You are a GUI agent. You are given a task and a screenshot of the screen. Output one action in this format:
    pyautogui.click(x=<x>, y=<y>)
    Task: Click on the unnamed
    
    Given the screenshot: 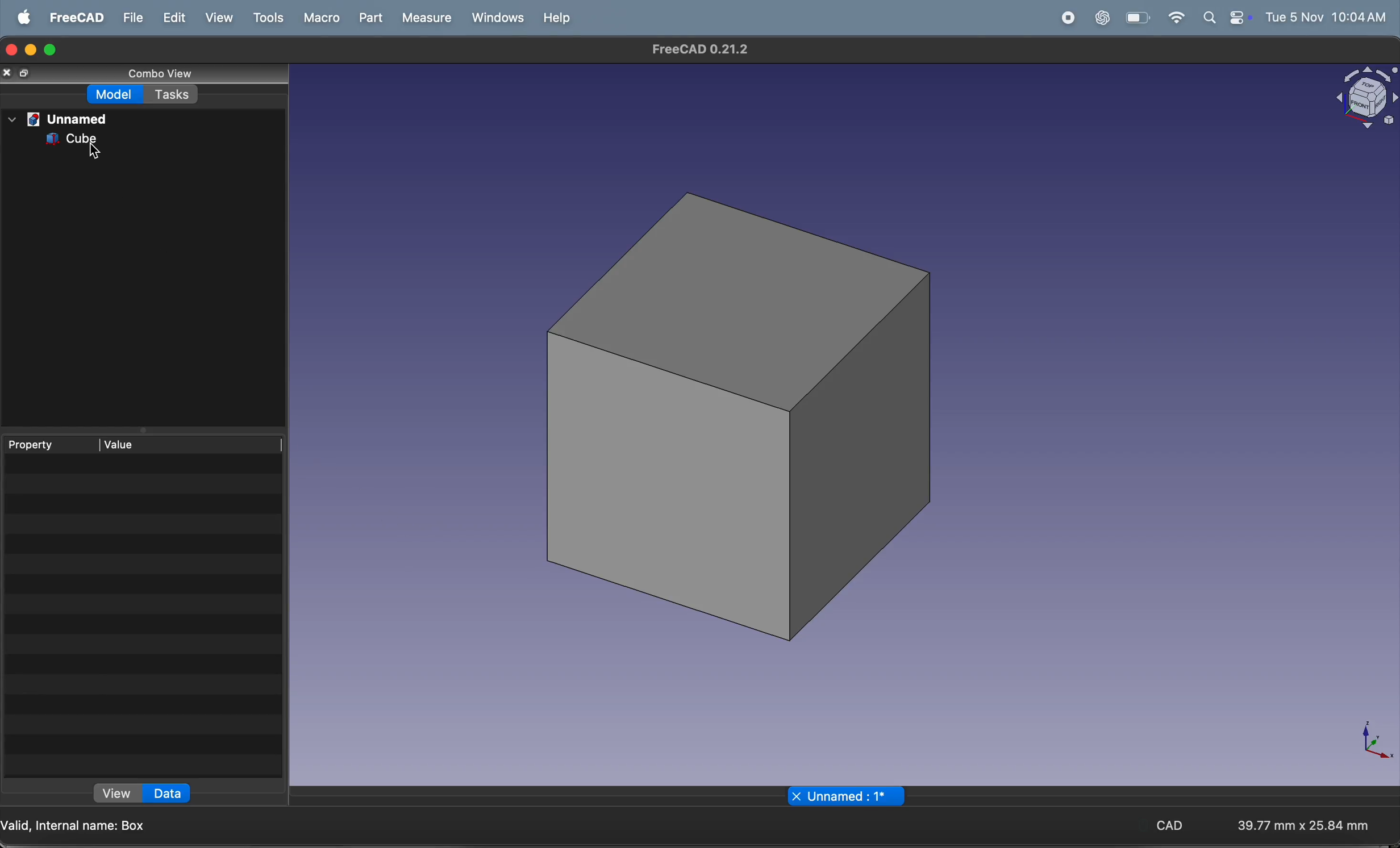 What is the action you would take?
    pyautogui.click(x=69, y=118)
    